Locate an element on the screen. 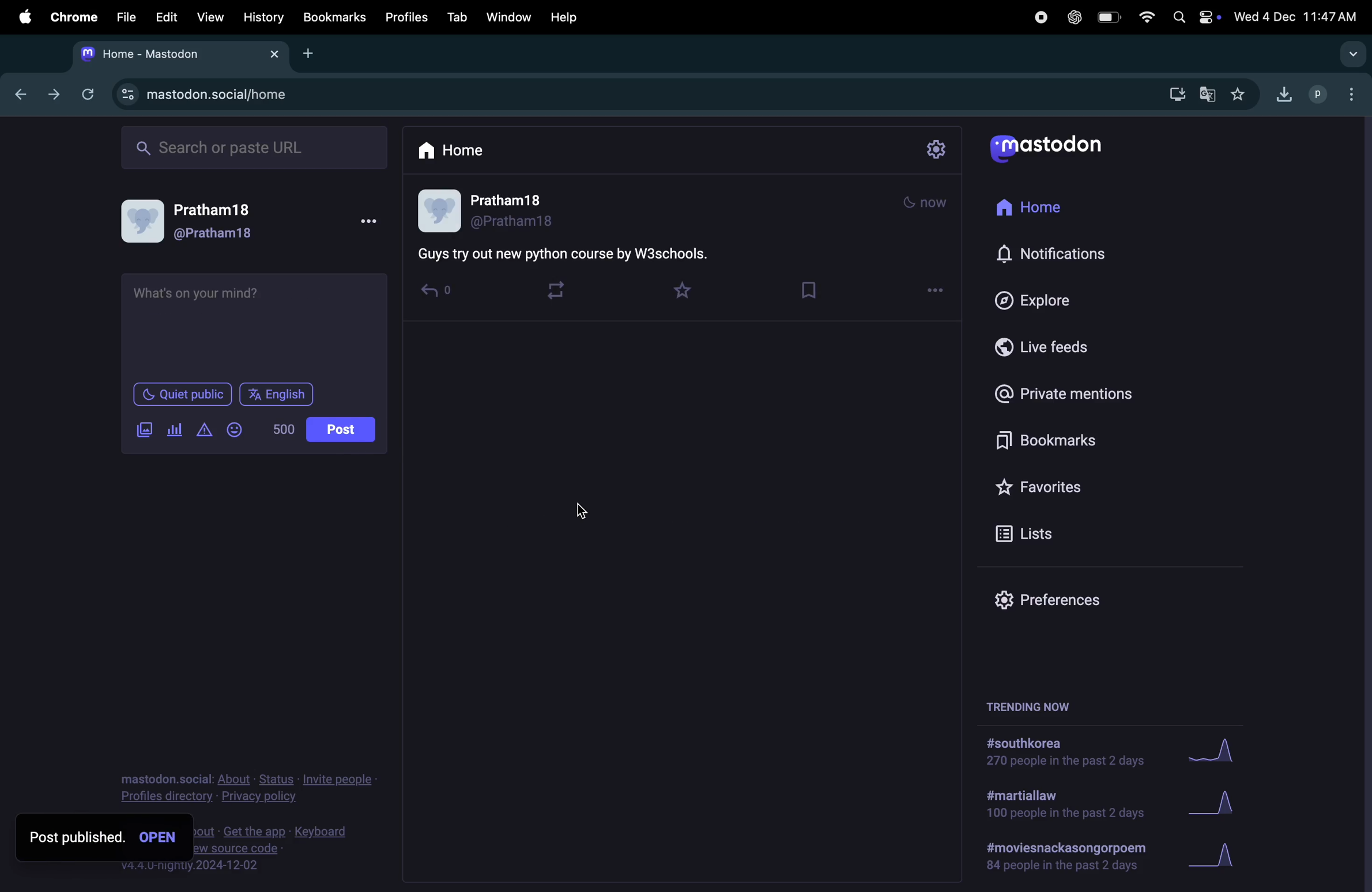 The height and width of the screenshot is (892, 1372). mode is located at coordinates (928, 202).